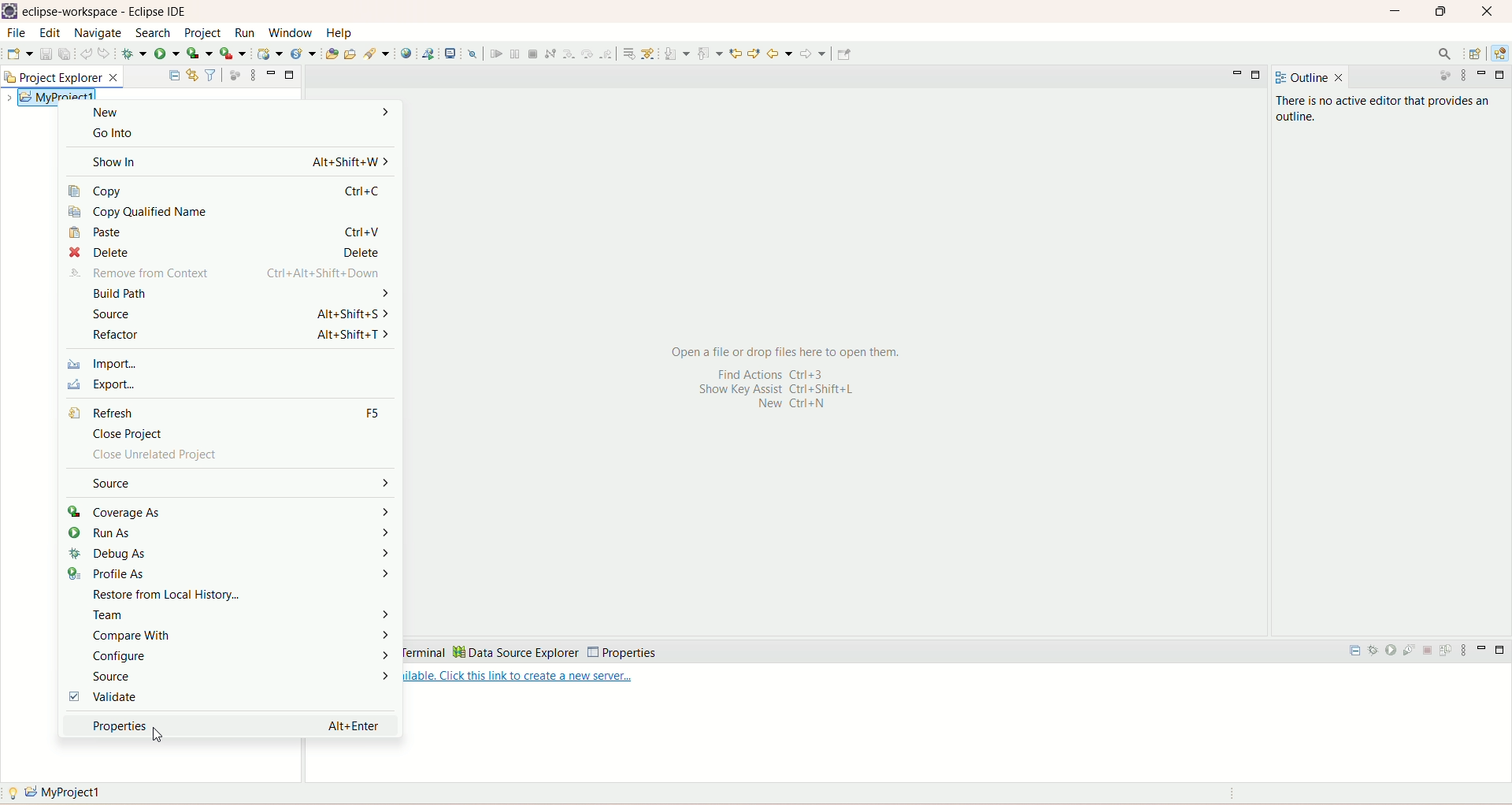 The height and width of the screenshot is (805, 1512). What do you see at coordinates (1503, 76) in the screenshot?
I see `maximize` at bounding box center [1503, 76].